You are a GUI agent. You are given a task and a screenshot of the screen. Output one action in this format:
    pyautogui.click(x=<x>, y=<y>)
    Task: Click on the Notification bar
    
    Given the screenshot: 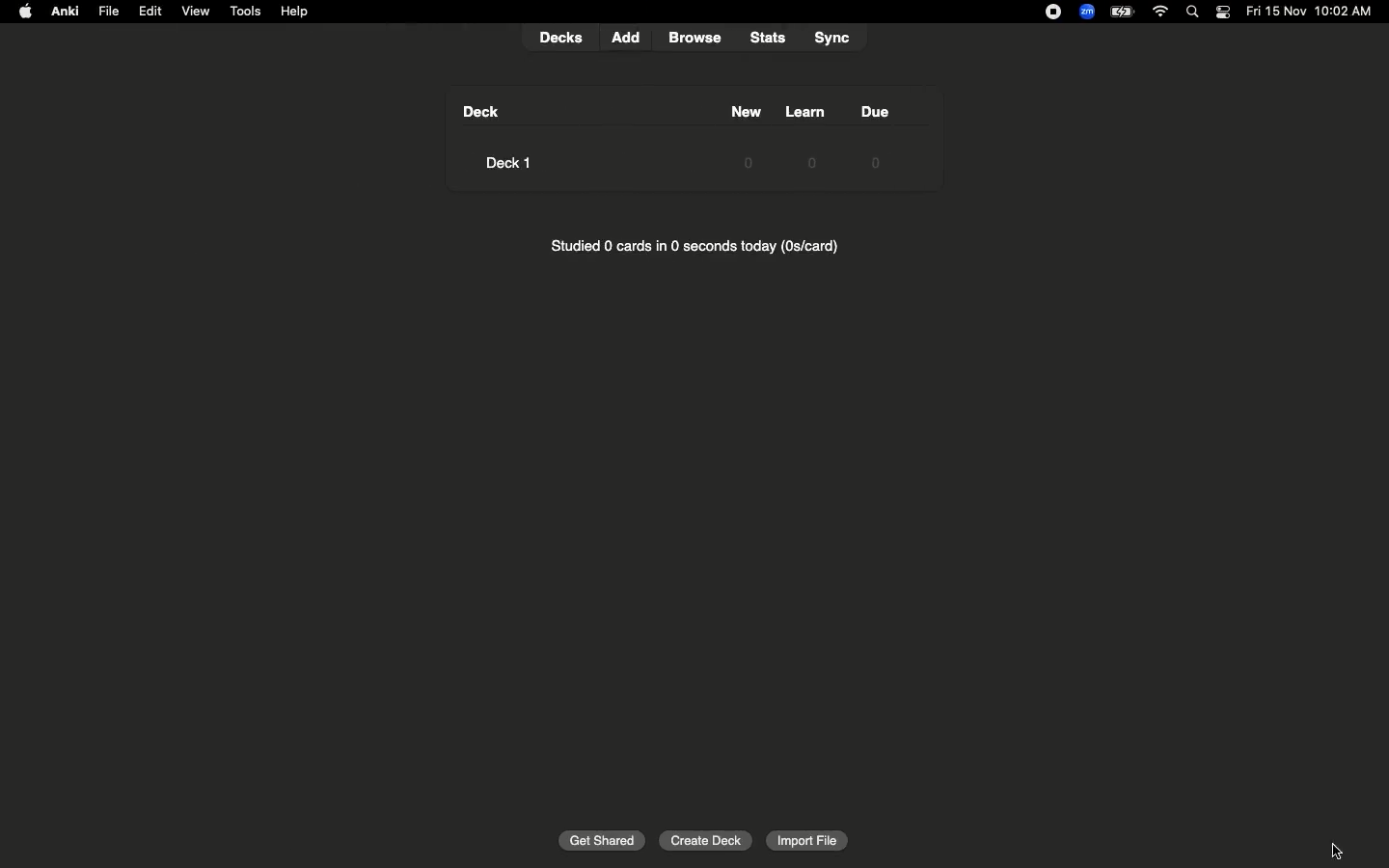 What is the action you would take?
    pyautogui.click(x=1223, y=13)
    